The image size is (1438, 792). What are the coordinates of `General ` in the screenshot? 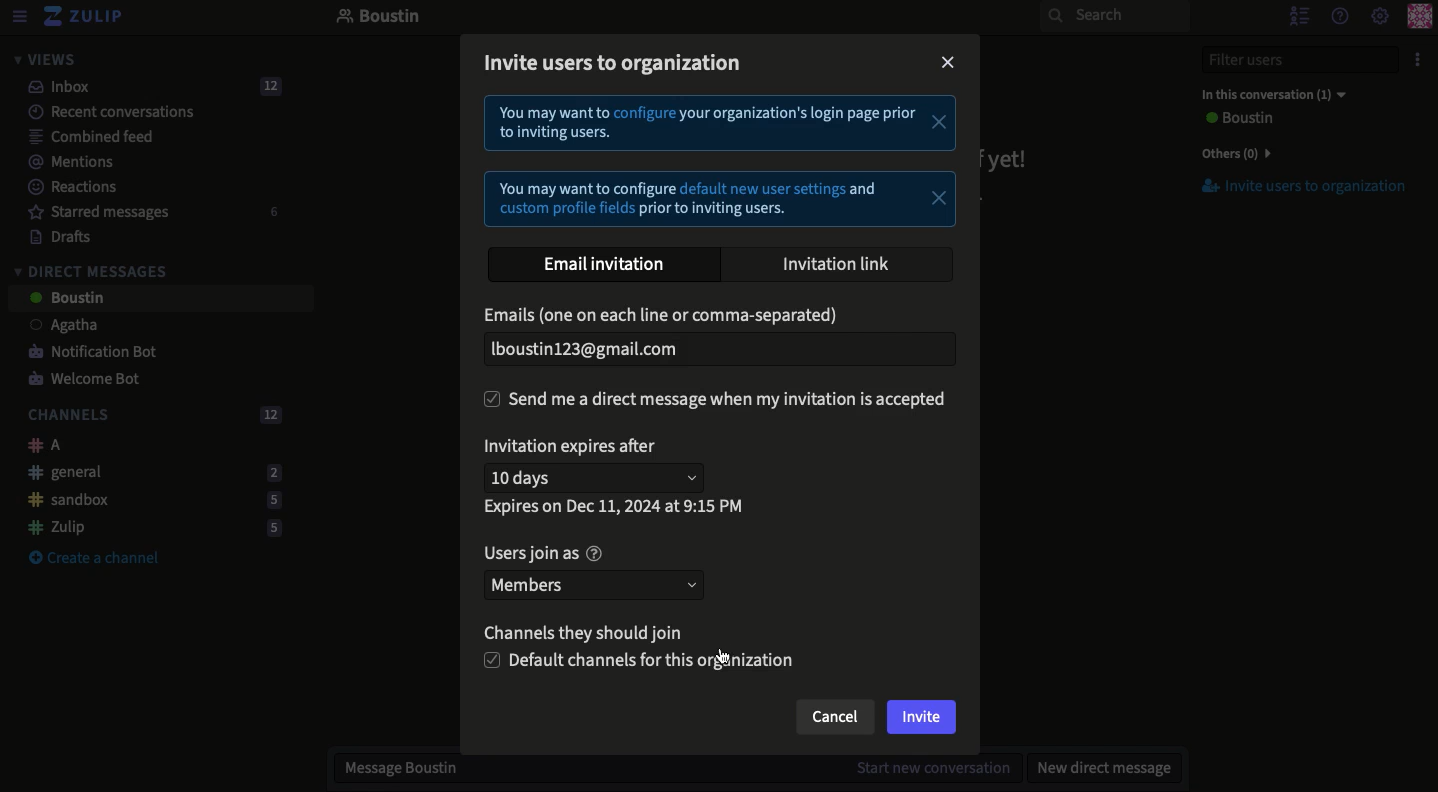 It's located at (149, 471).